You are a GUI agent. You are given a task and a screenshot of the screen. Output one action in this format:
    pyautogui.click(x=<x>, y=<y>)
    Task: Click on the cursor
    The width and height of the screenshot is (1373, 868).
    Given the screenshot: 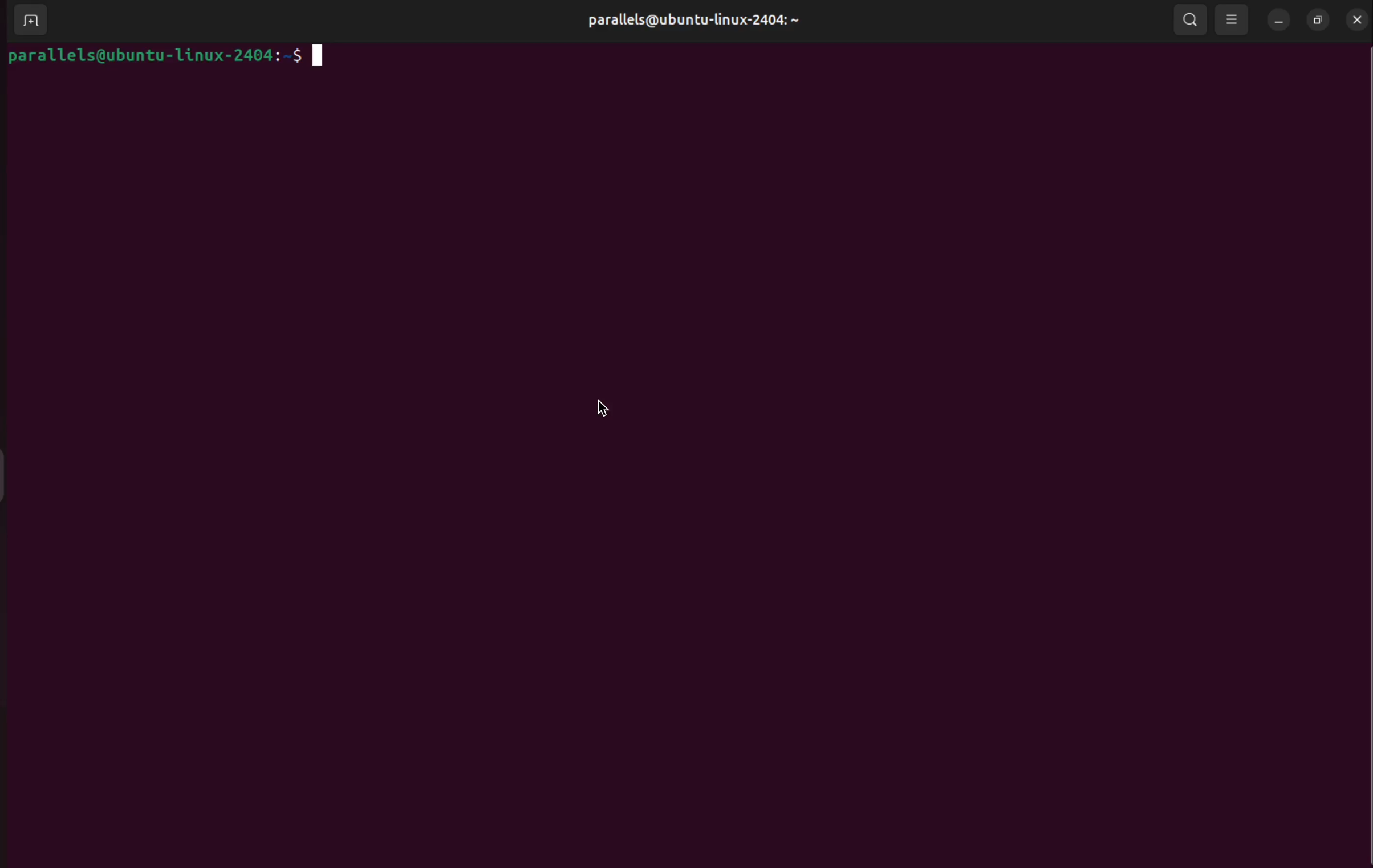 What is the action you would take?
    pyautogui.click(x=600, y=410)
    